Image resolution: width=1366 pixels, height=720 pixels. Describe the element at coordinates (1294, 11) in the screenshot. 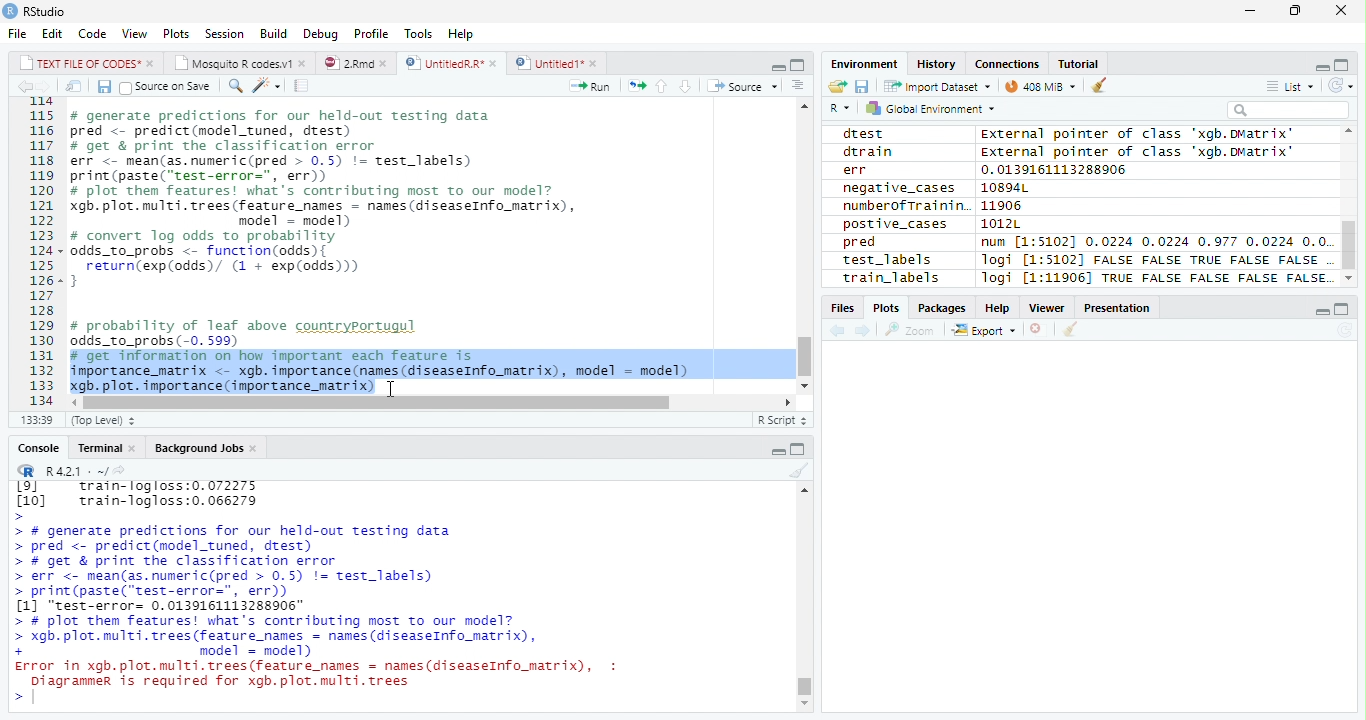

I see `Restore Down` at that location.